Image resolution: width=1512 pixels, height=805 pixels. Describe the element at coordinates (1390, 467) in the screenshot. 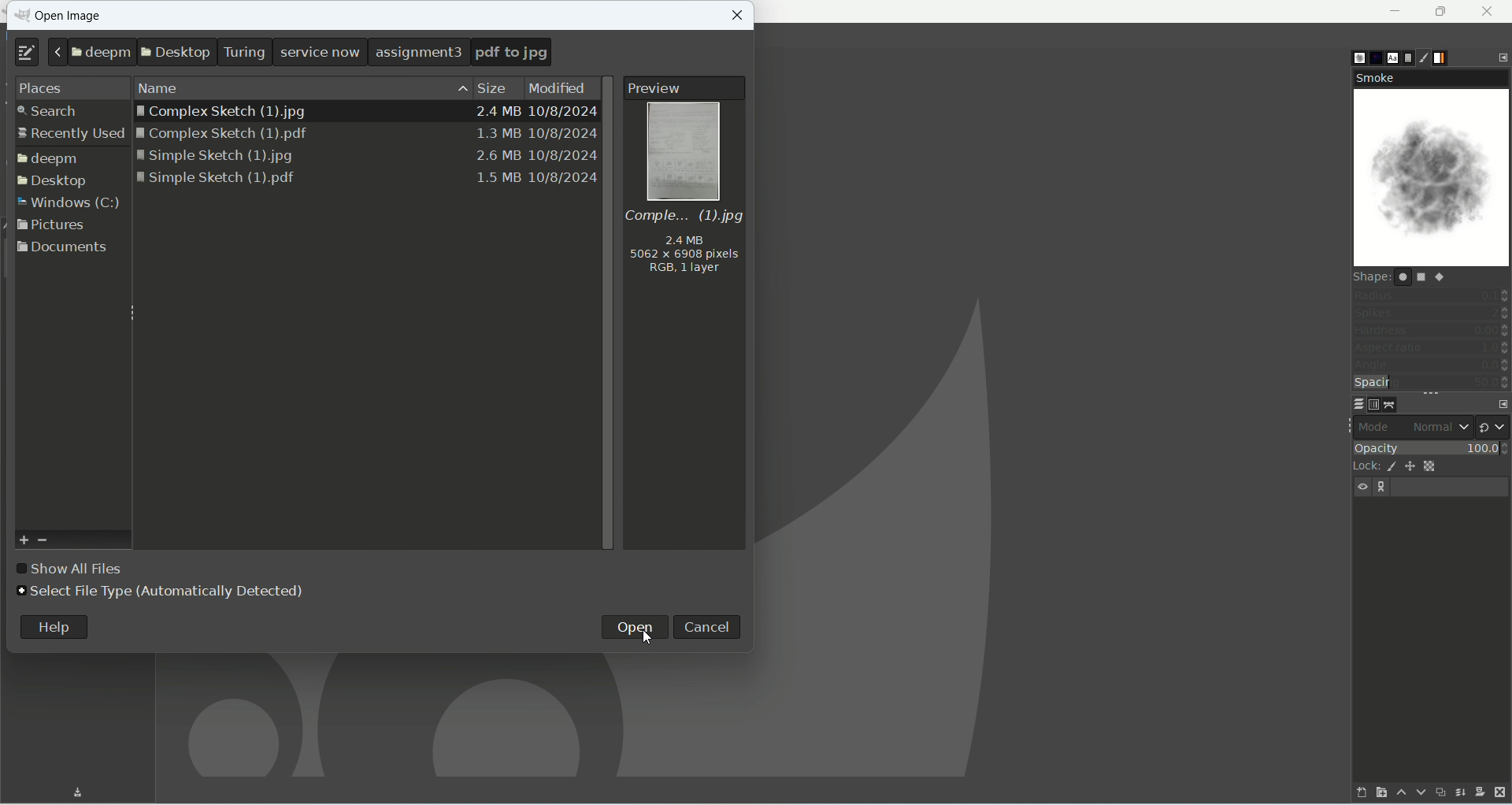

I see `lock pixels` at that location.